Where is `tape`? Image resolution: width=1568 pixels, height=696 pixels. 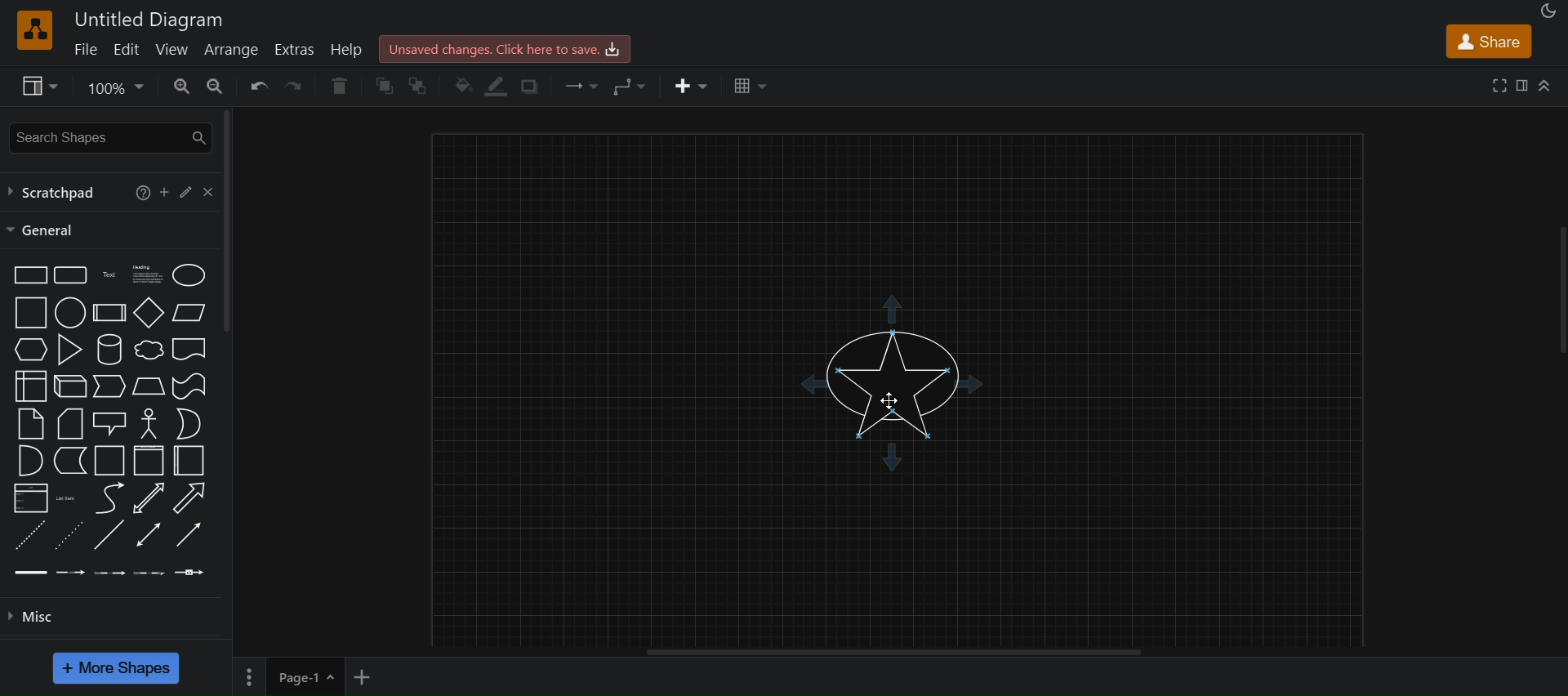 tape is located at coordinates (189, 386).